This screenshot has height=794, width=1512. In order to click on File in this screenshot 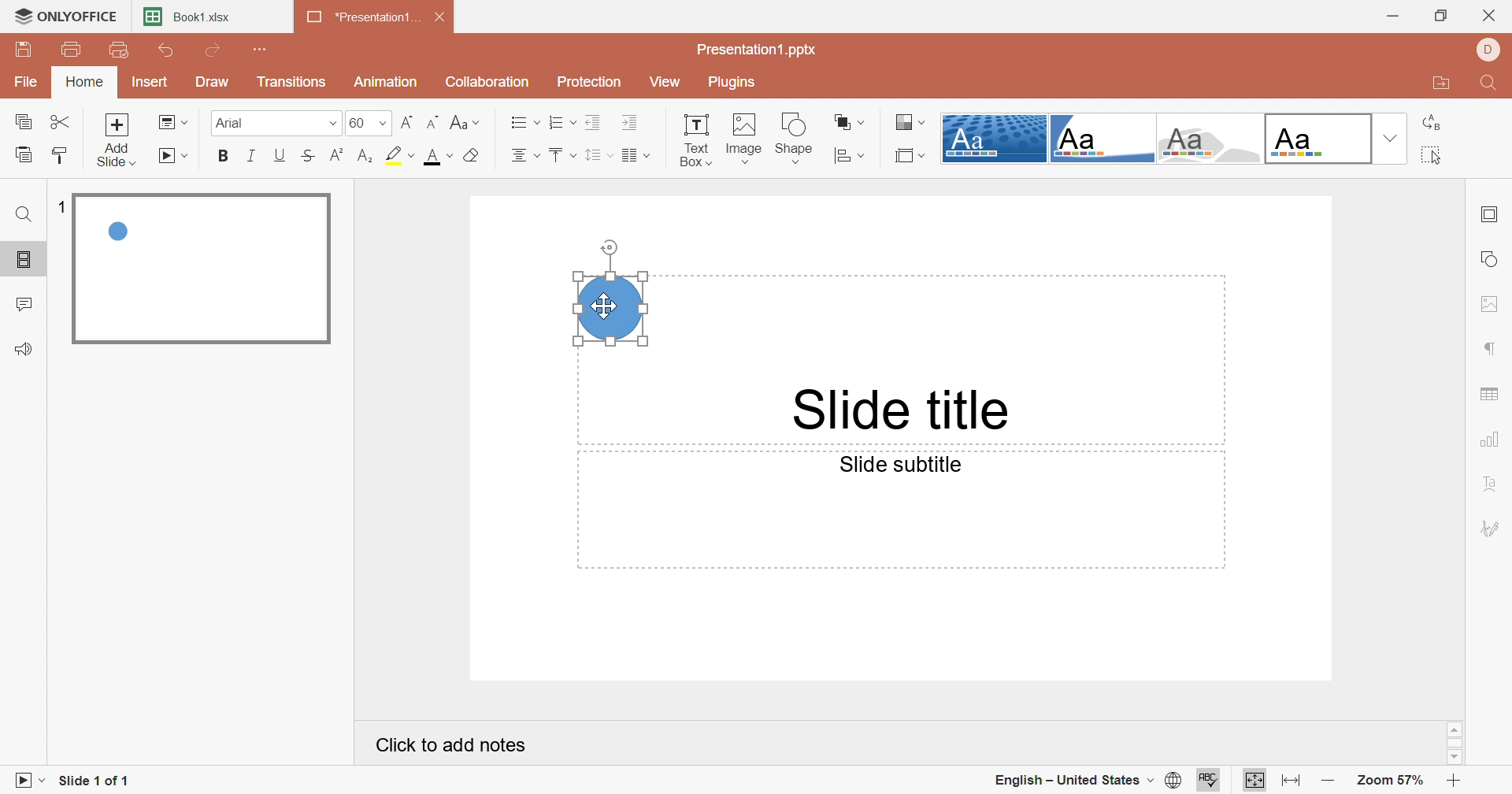, I will do `click(28, 80)`.